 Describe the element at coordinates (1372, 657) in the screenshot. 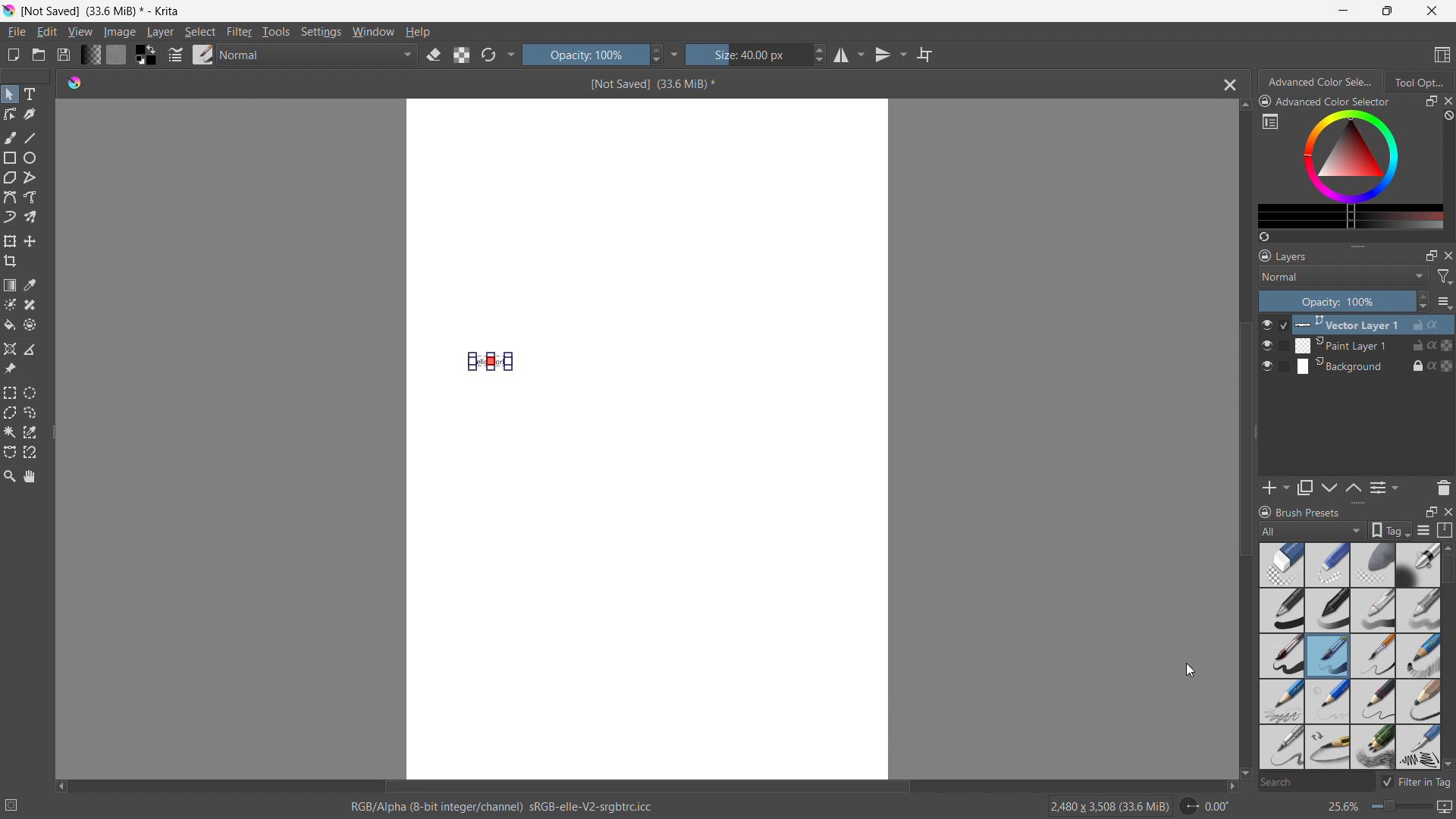

I see `small pin brush` at that location.